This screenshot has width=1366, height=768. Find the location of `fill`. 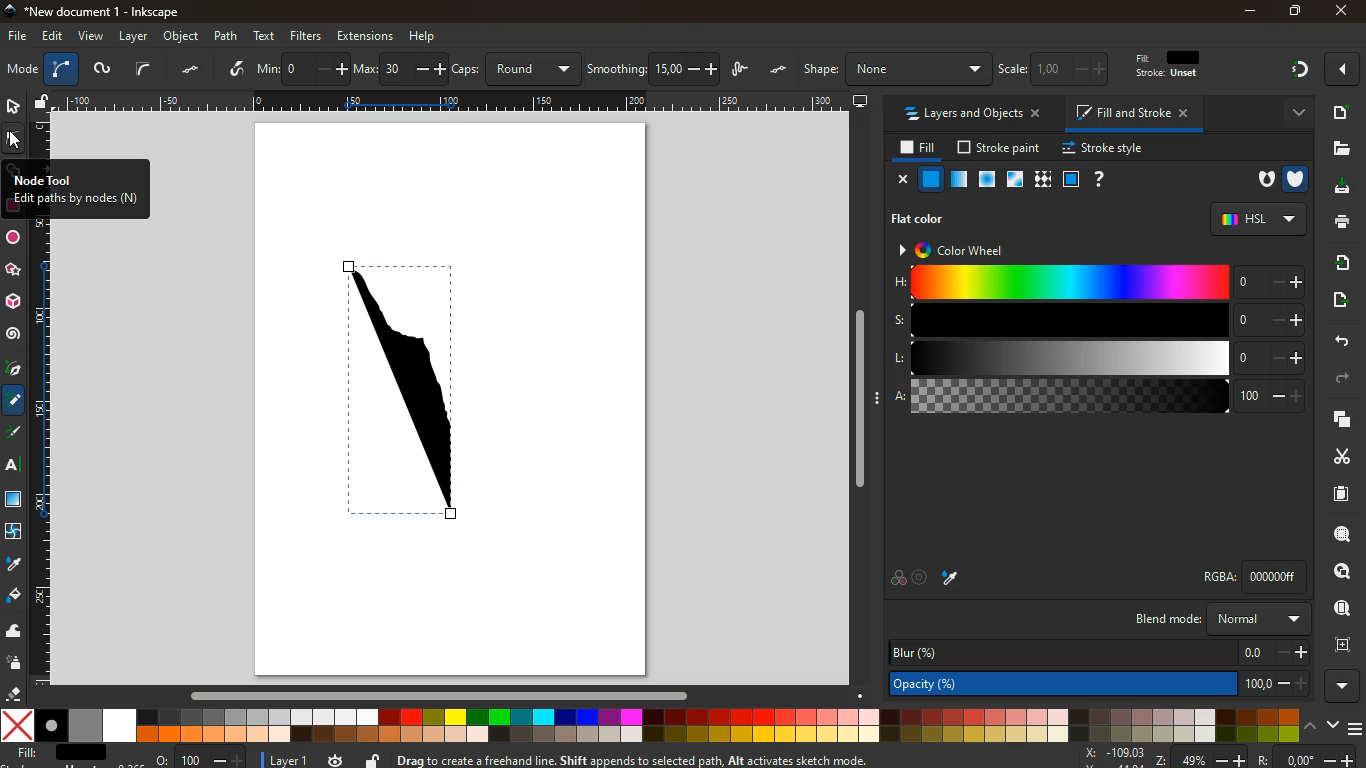

fill is located at coordinates (63, 755).